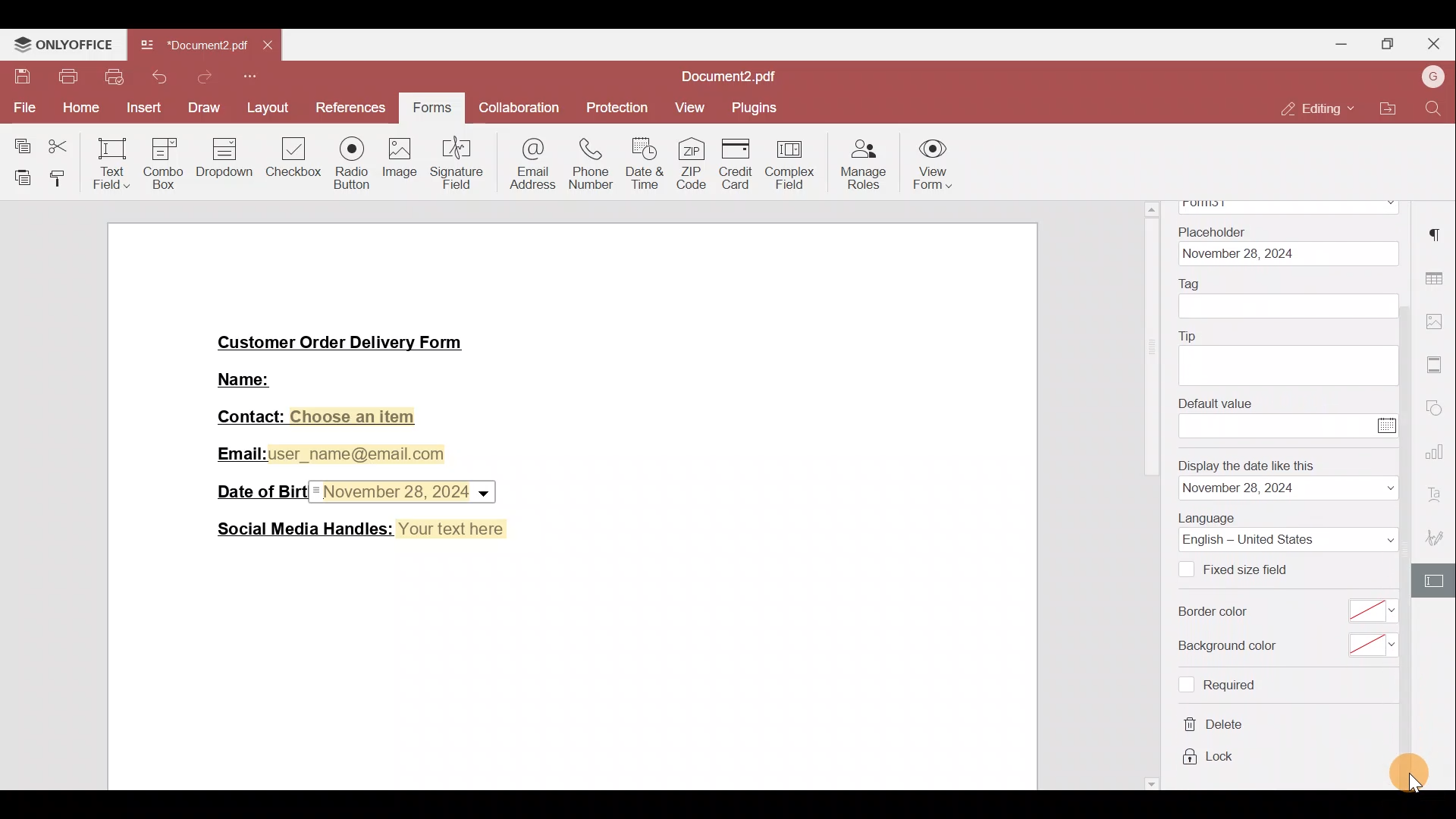 The width and height of the screenshot is (1456, 819). What do you see at coordinates (864, 167) in the screenshot?
I see `Manage roles` at bounding box center [864, 167].